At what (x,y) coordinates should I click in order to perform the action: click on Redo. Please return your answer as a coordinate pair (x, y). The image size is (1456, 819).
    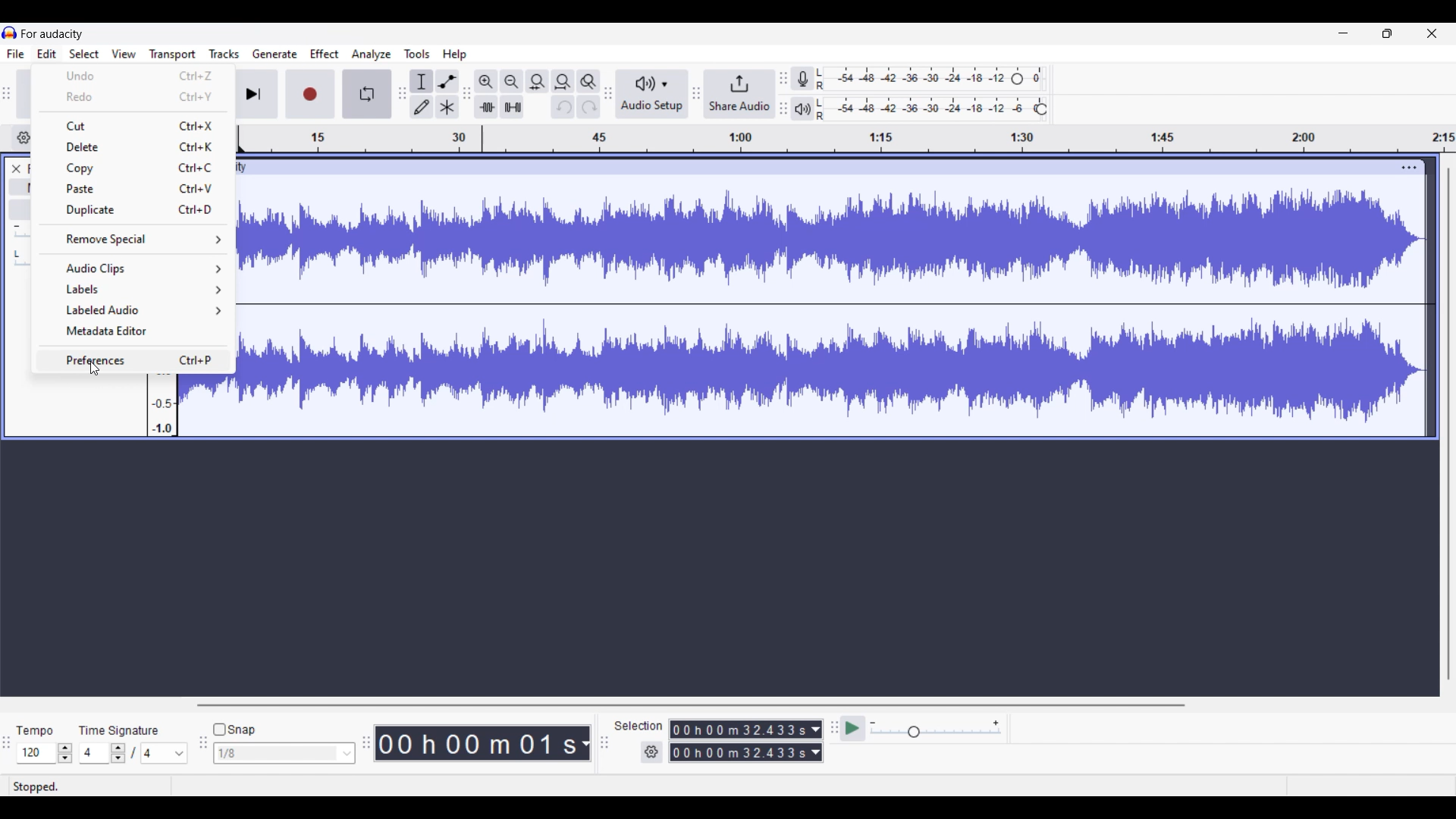
    Looking at the image, I should click on (133, 96).